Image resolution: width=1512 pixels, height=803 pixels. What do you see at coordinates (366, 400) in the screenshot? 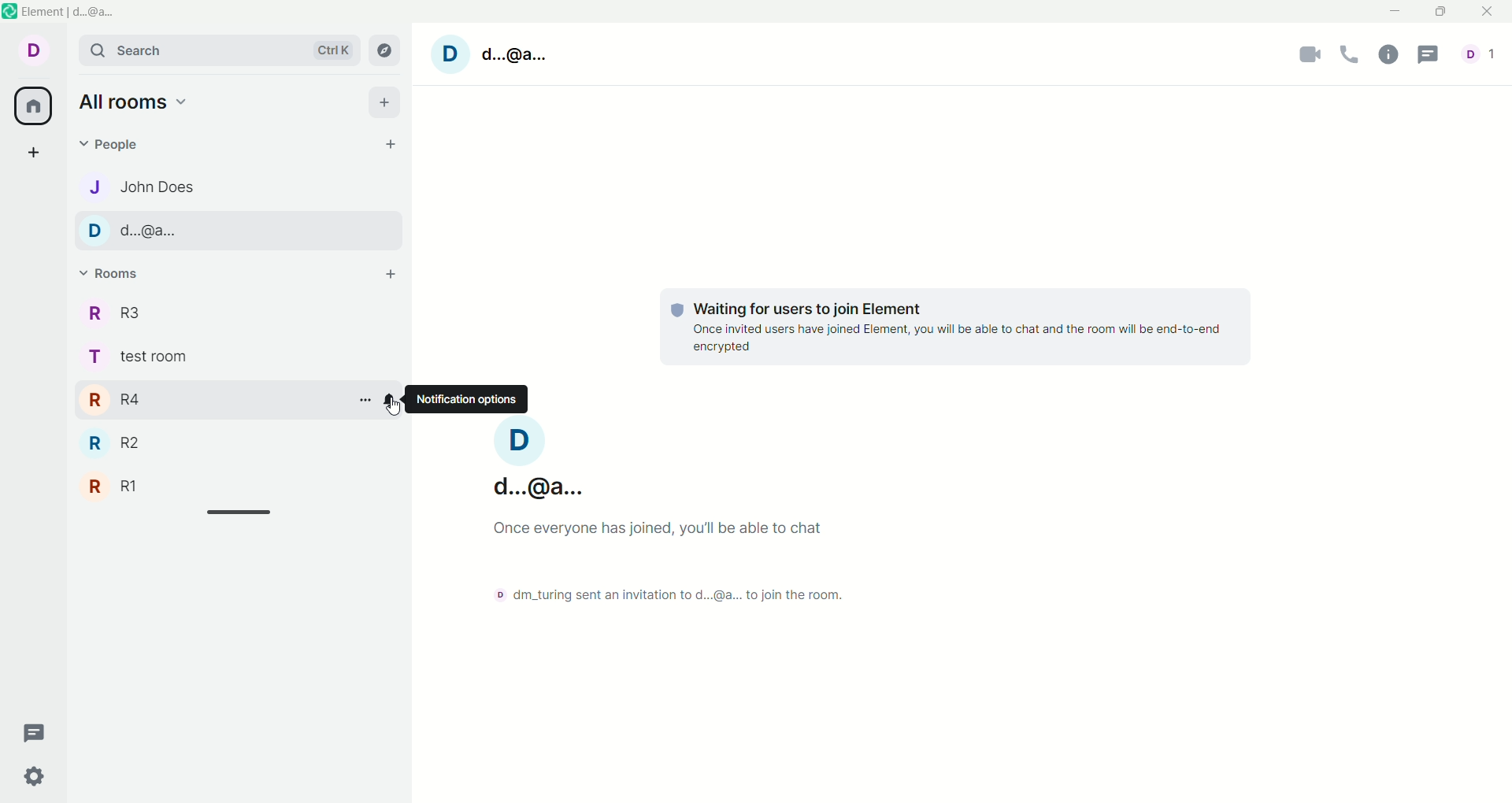
I see `room options` at bounding box center [366, 400].